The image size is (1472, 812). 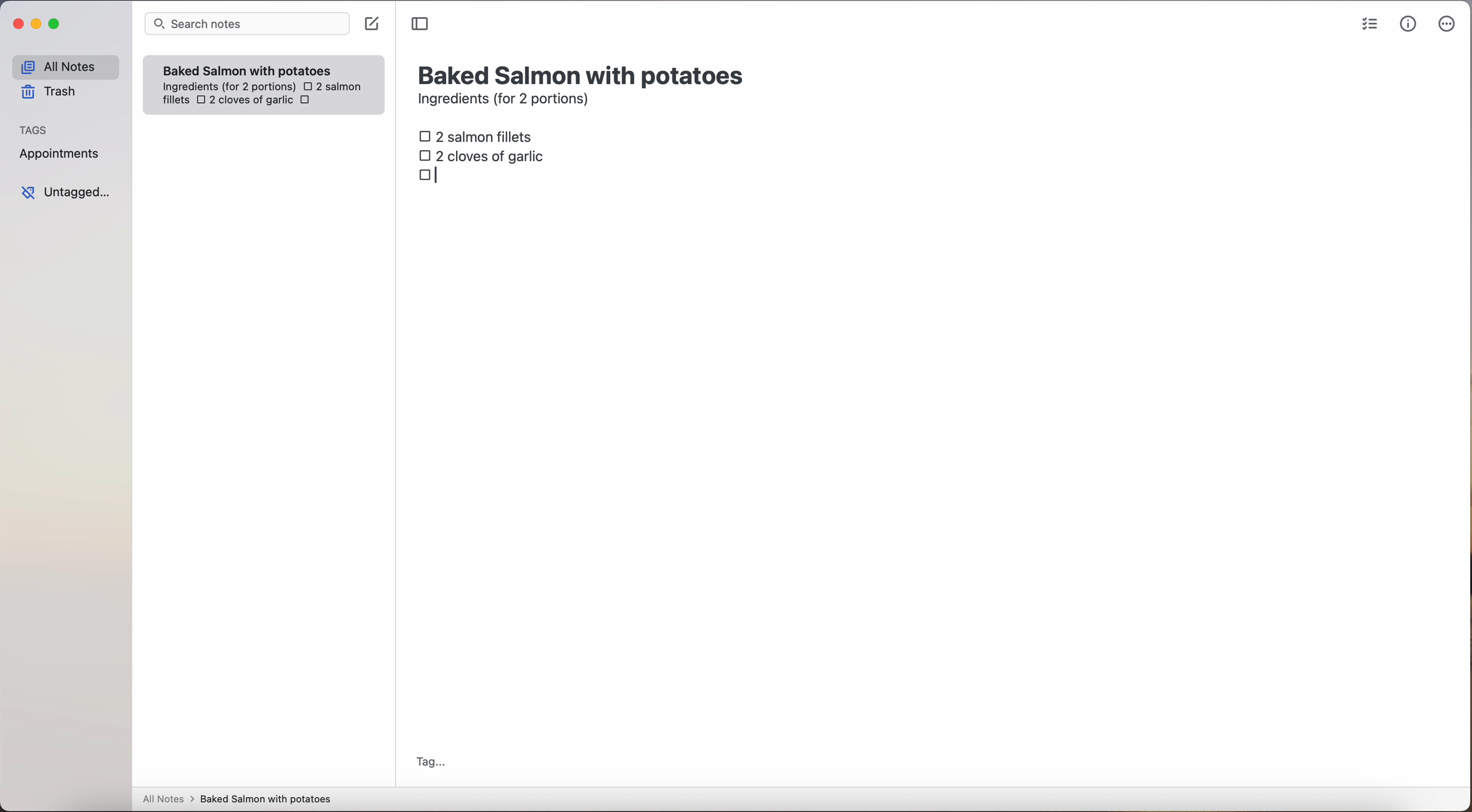 What do you see at coordinates (61, 151) in the screenshot?
I see `appointments tag` at bounding box center [61, 151].